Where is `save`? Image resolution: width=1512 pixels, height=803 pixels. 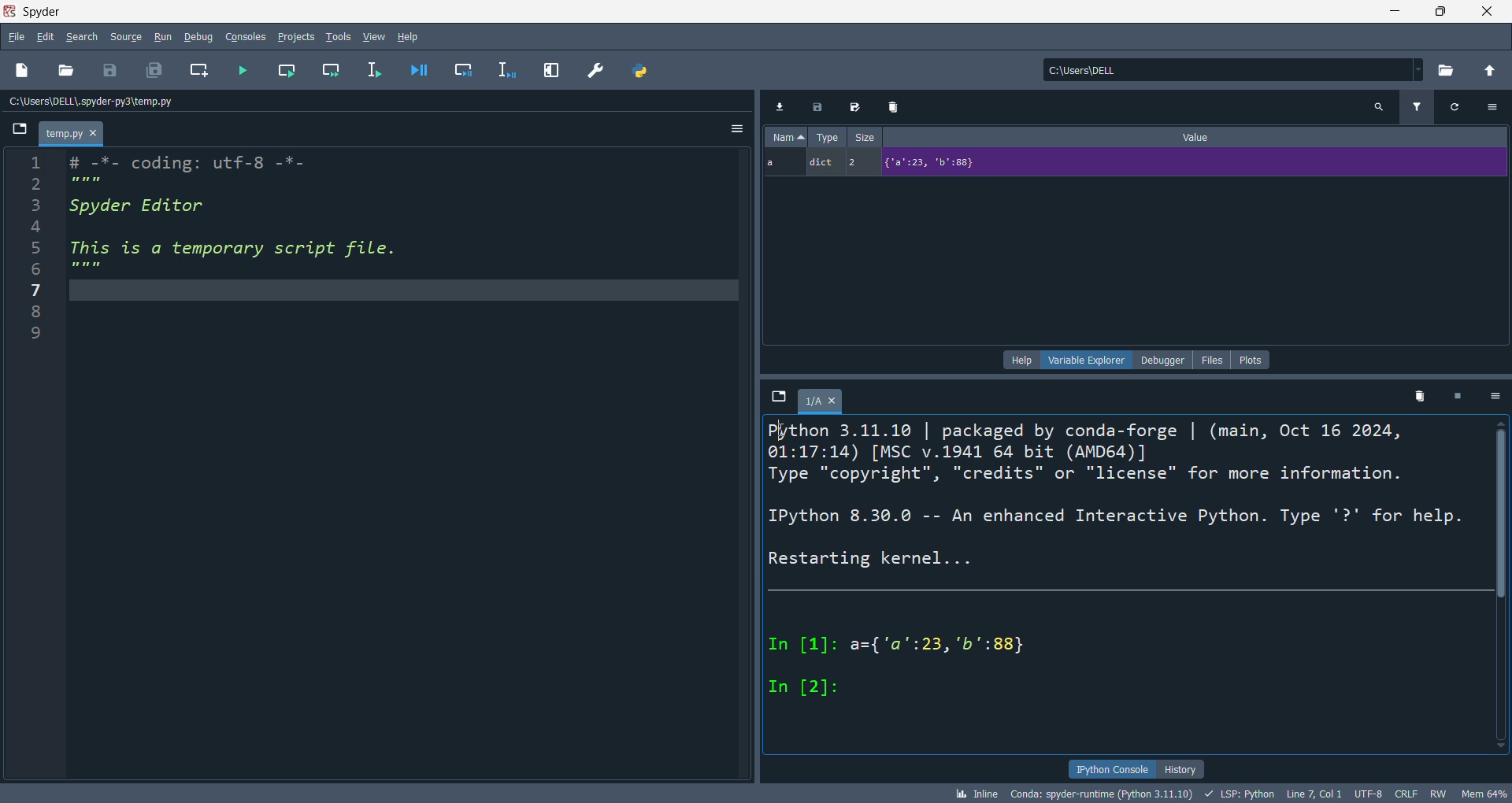
save is located at coordinates (112, 71).